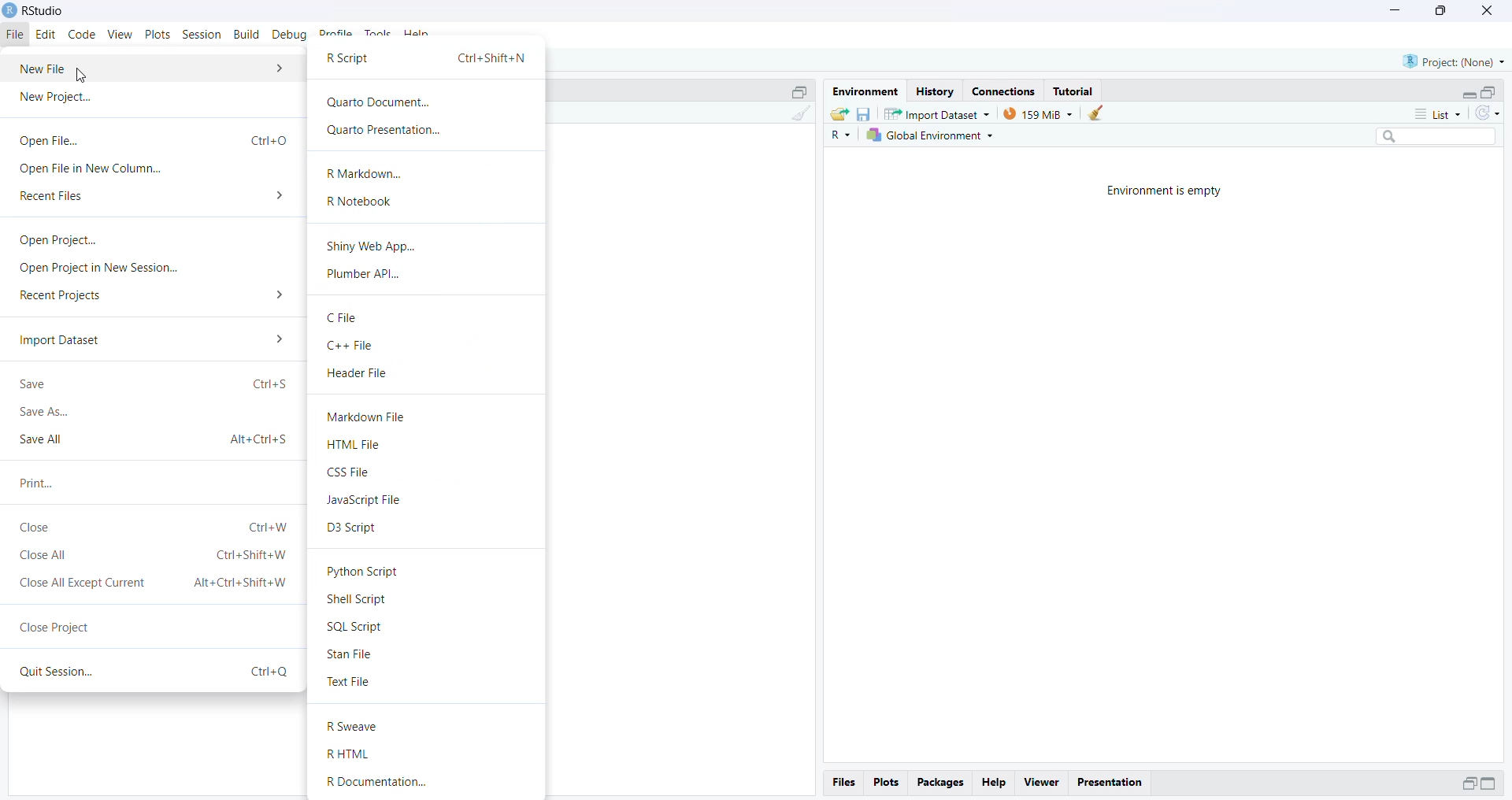 This screenshot has width=1512, height=800. Describe the element at coordinates (366, 172) in the screenshot. I see `R Markdown...` at that location.